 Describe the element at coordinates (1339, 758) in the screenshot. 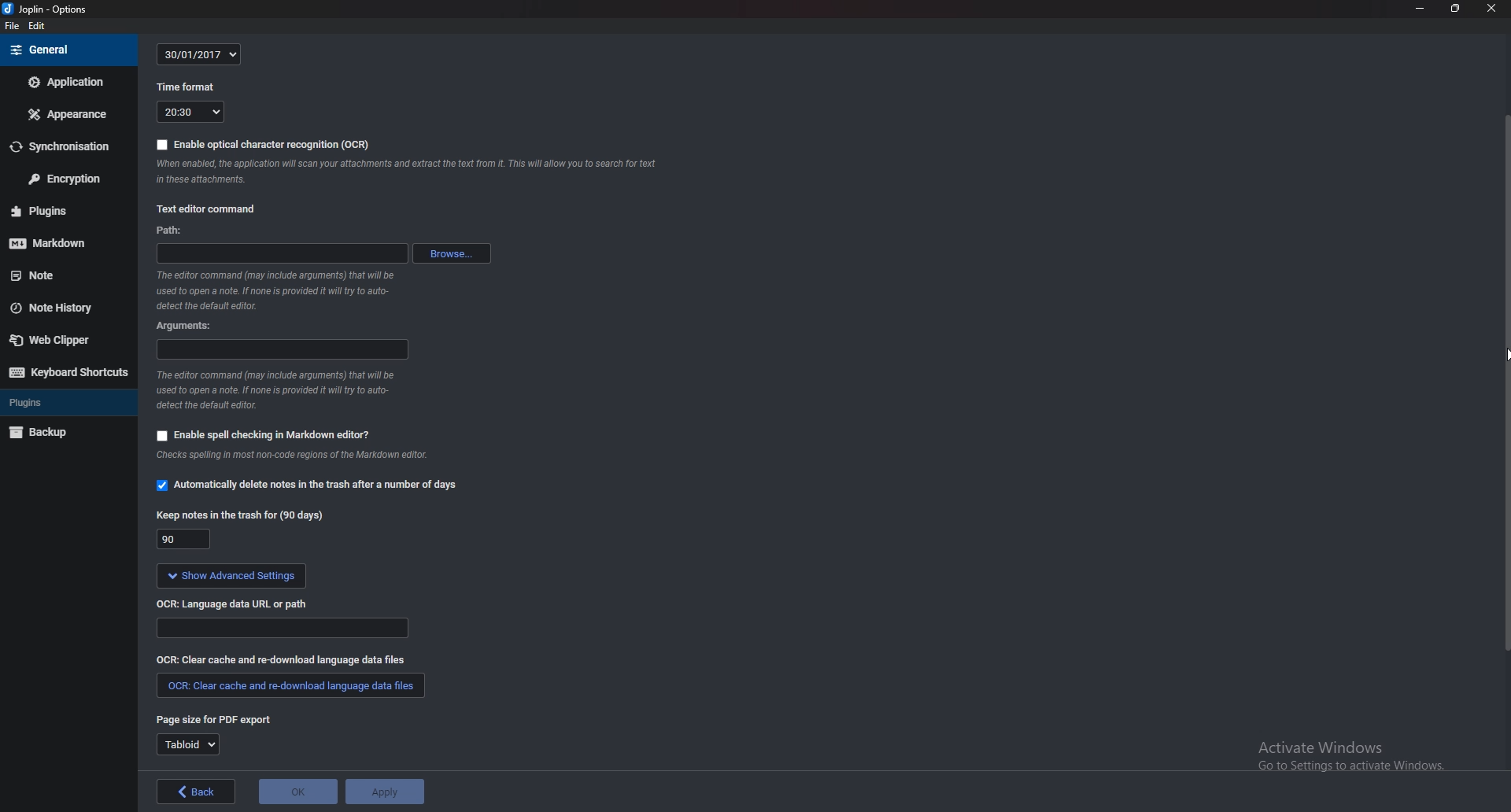

I see `activate windows` at that location.